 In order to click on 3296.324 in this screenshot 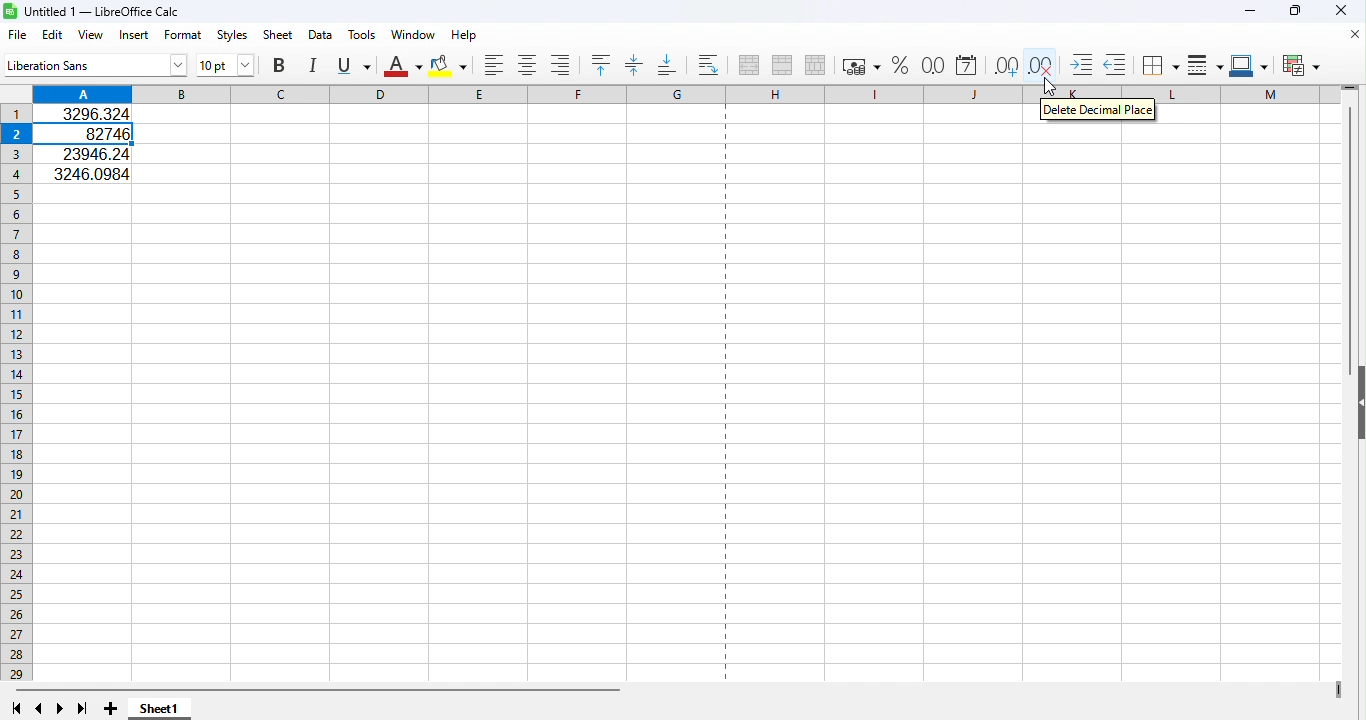, I will do `click(95, 113)`.